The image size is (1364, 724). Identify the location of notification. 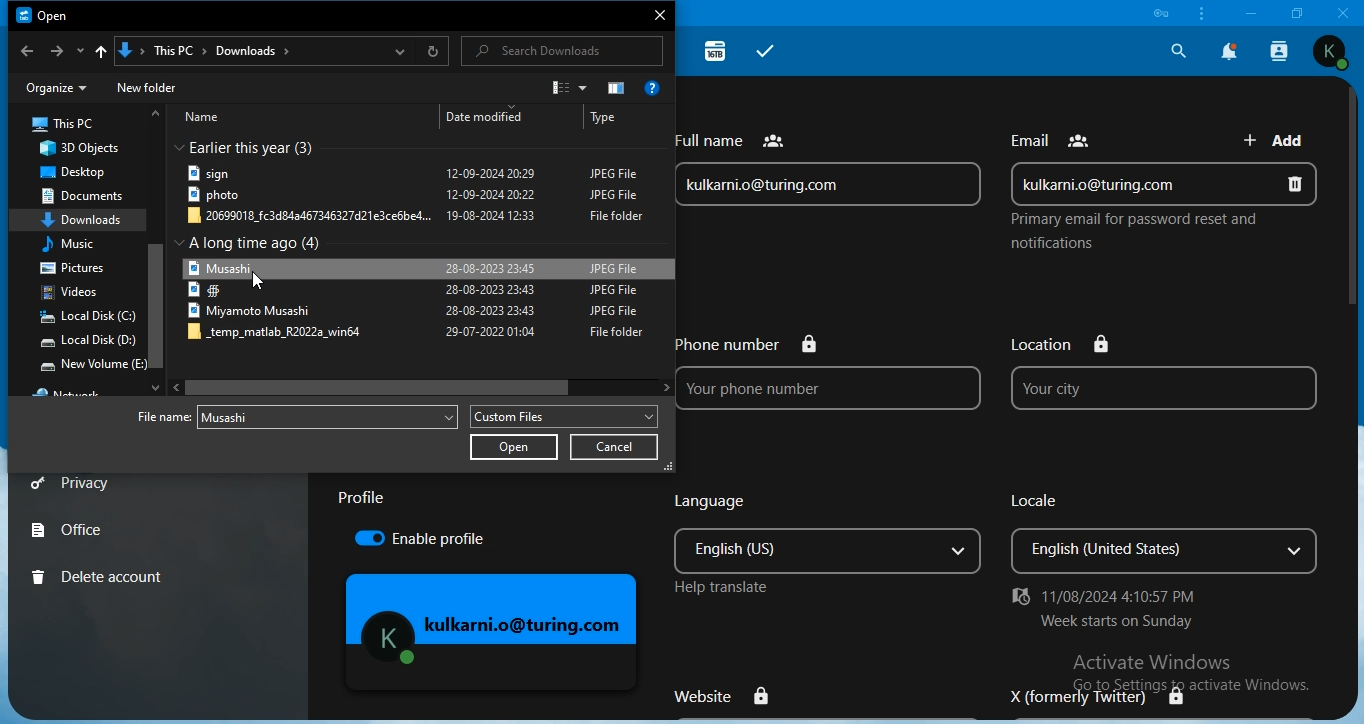
(1230, 51).